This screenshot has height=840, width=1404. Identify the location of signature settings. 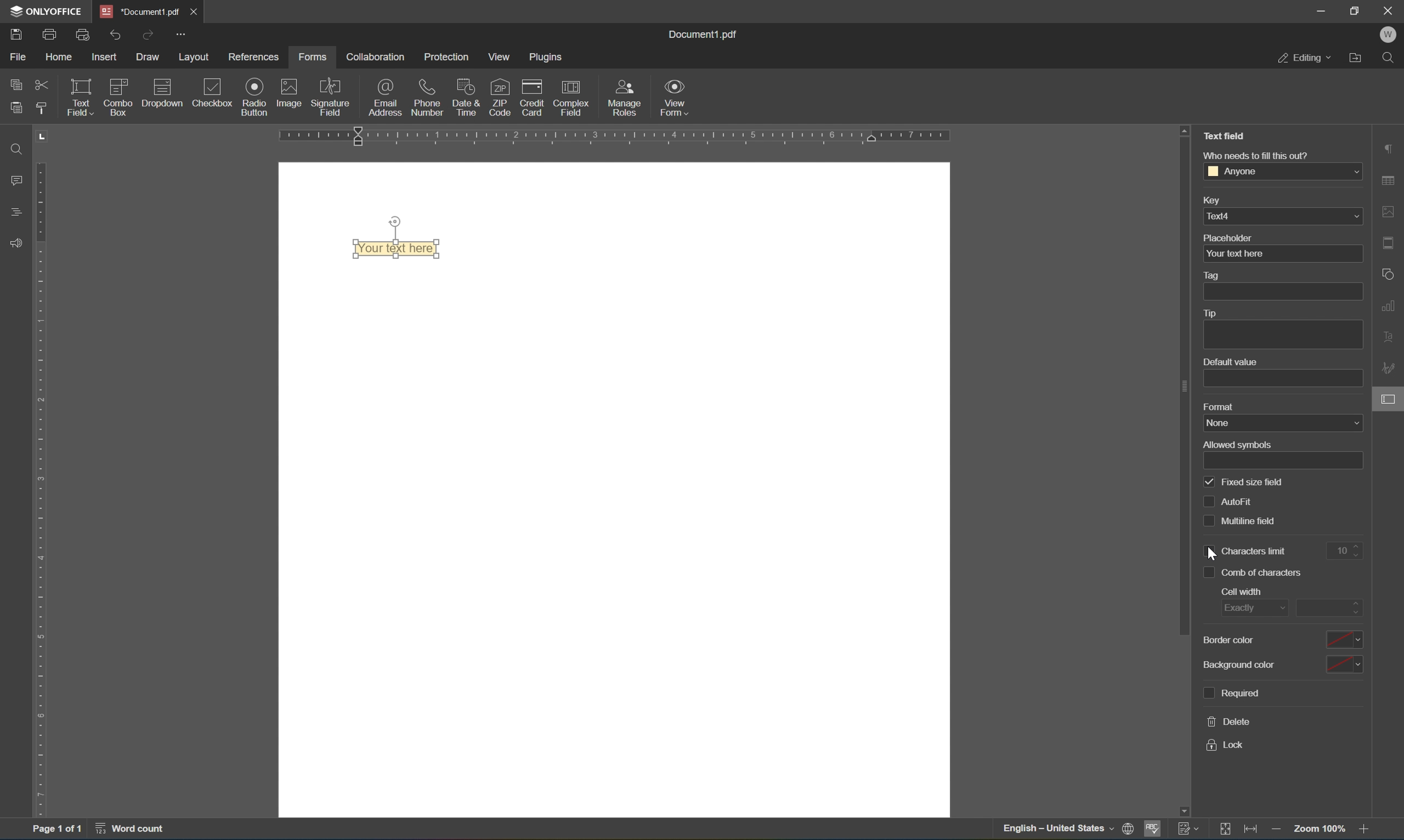
(1390, 368).